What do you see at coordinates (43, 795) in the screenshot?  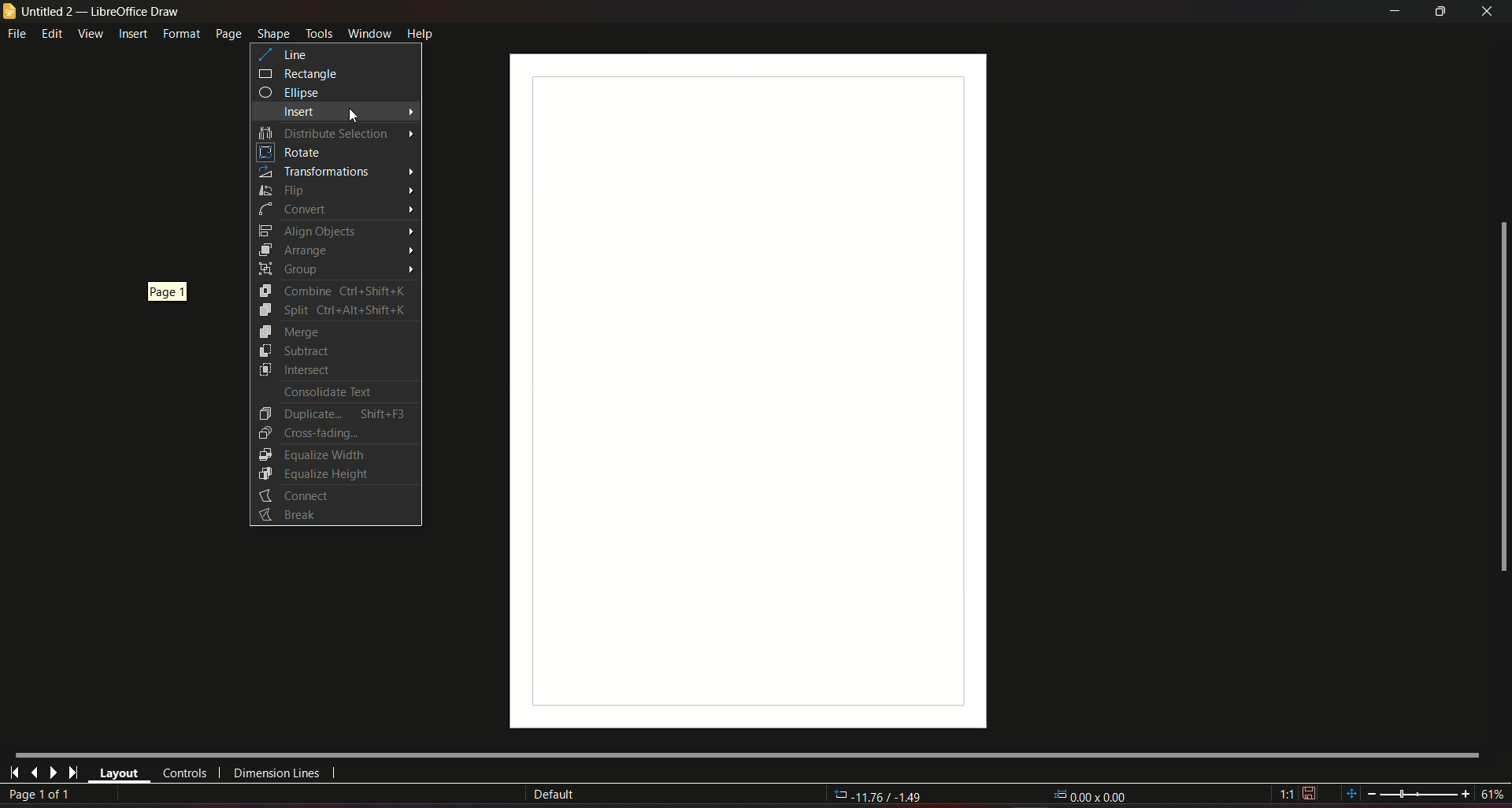 I see `page 1 of 1` at bounding box center [43, 795].